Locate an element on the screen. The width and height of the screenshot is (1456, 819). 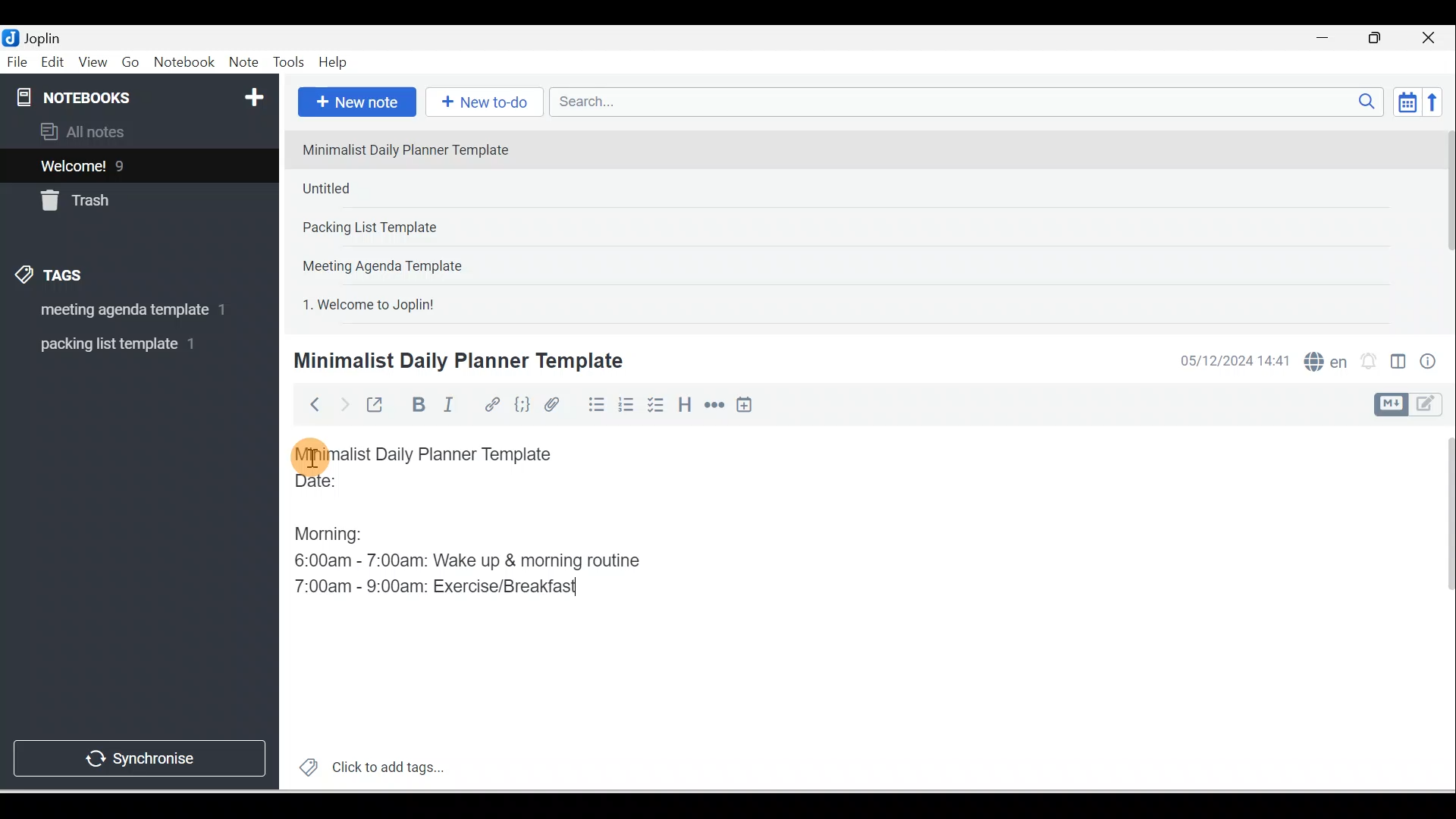
Toggle editor layout is located at coordinates (1414, 405).